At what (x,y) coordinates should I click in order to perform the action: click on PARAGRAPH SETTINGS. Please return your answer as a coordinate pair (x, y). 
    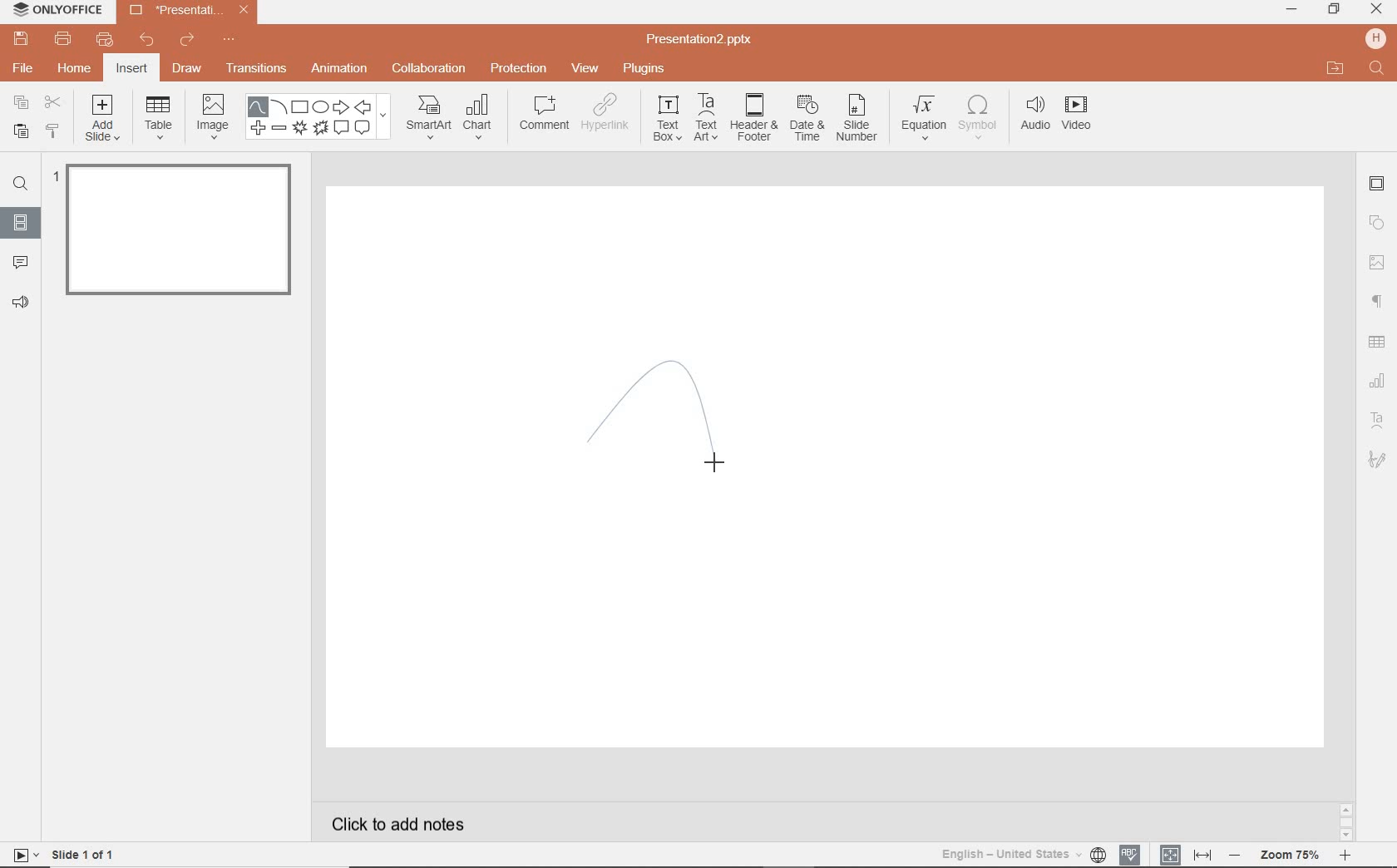
    Looking at the image, I should click on (1375, 300).